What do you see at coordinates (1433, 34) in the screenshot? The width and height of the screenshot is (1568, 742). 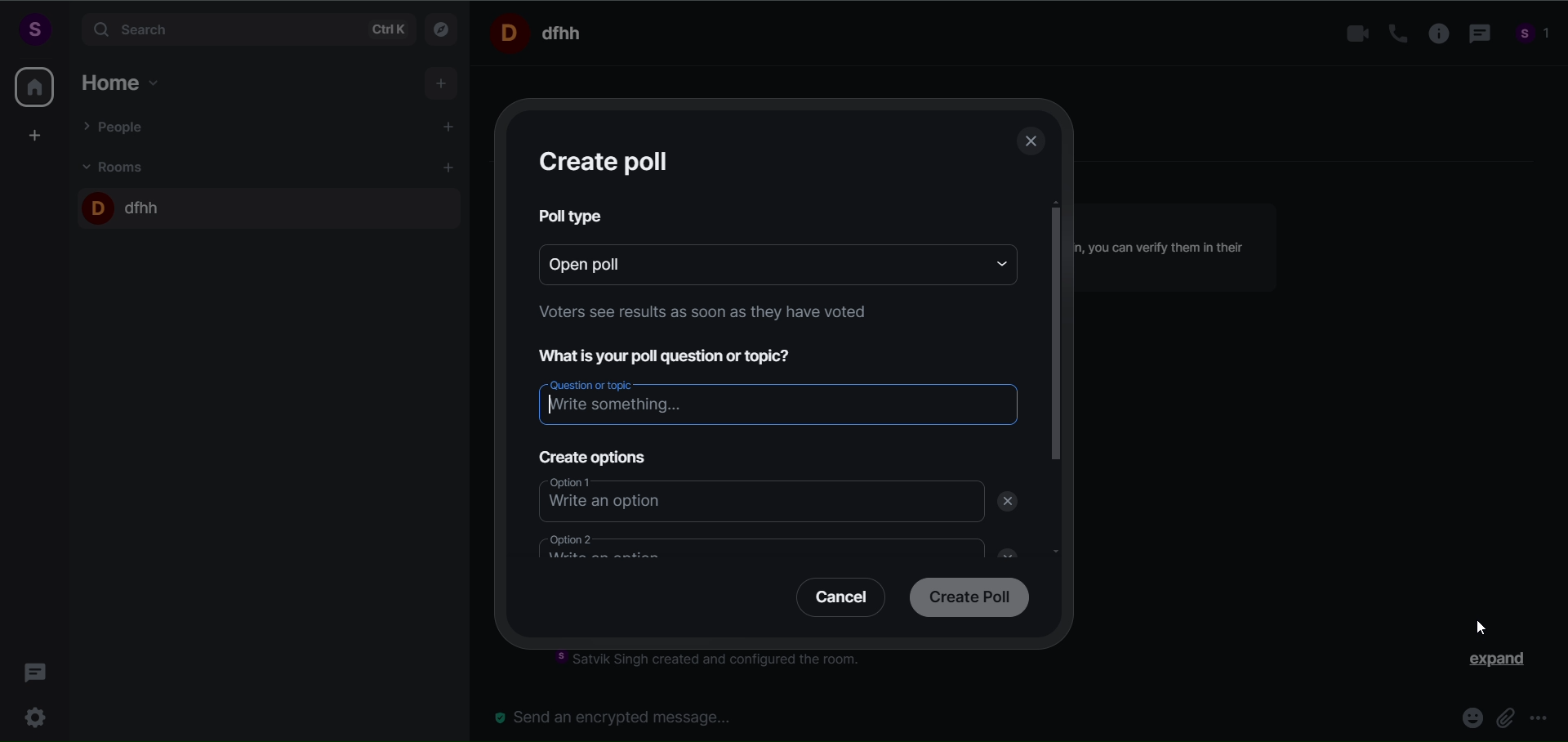 I see `room info` at bounding box center [1433, 34].